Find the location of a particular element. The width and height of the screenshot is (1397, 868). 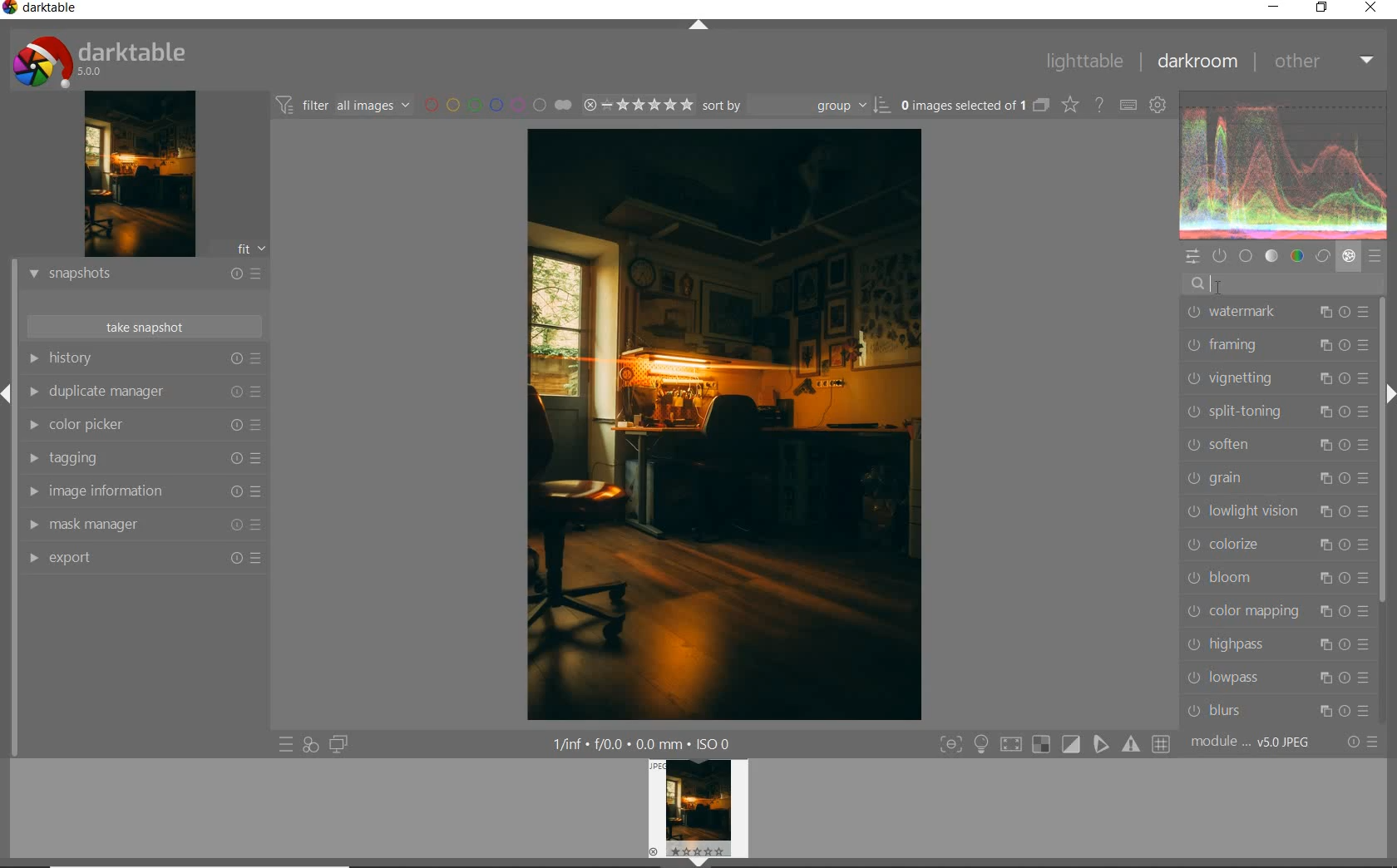

module is located at coordinates (1250, 740).